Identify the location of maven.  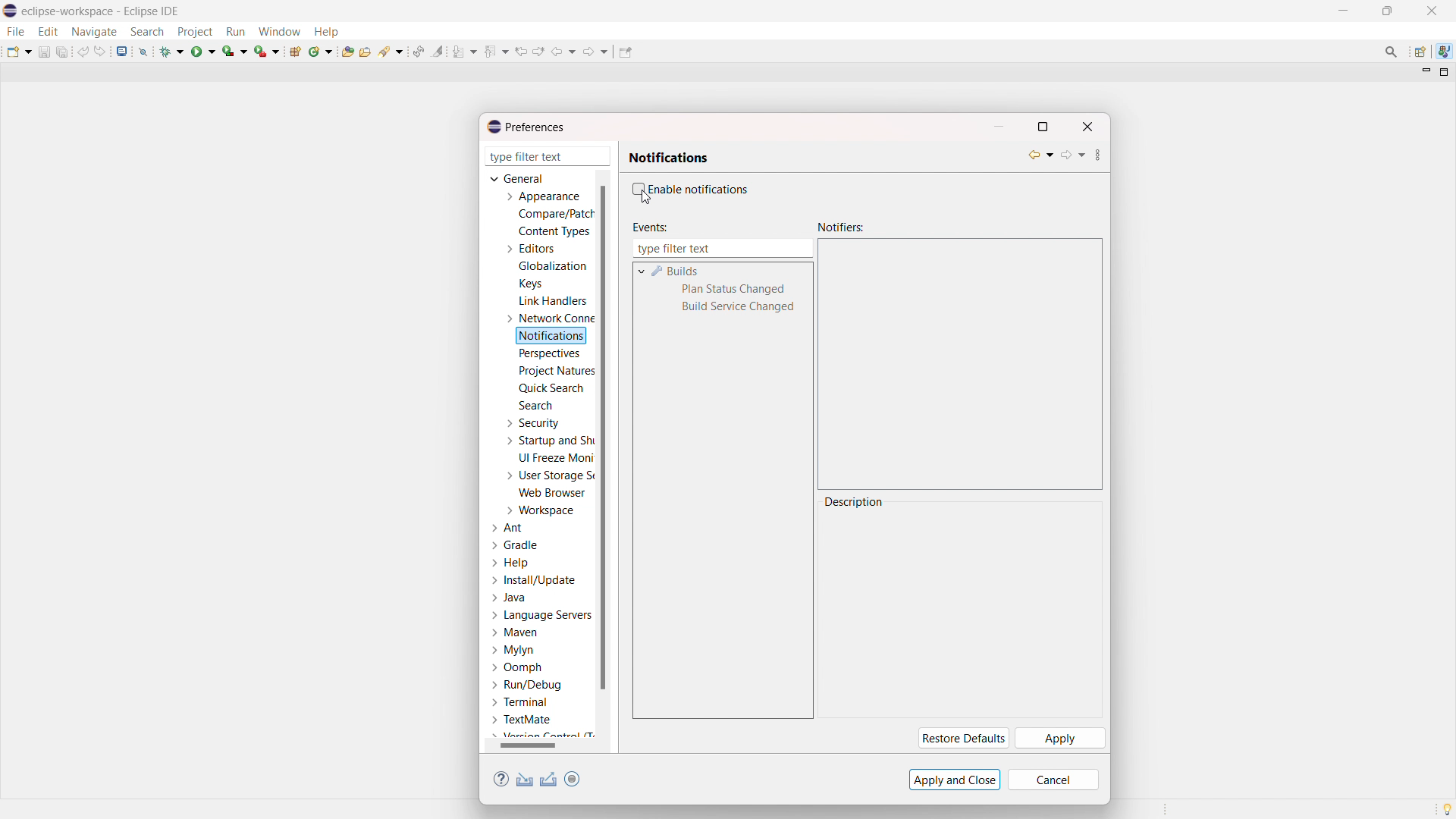
(514, 633).